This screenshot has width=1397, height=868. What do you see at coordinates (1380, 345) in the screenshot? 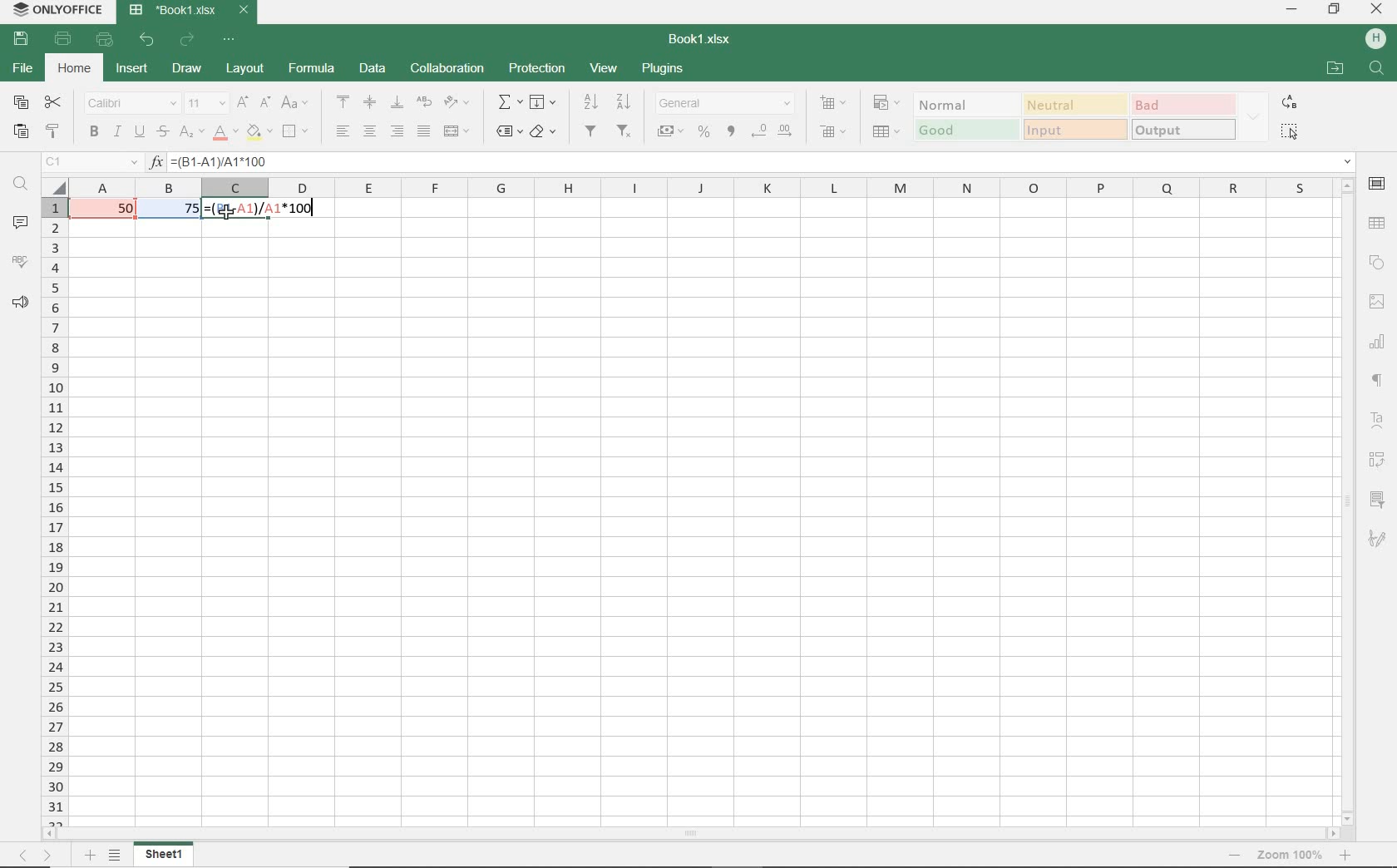
I see `chart` at bounding box center [1380, 345].